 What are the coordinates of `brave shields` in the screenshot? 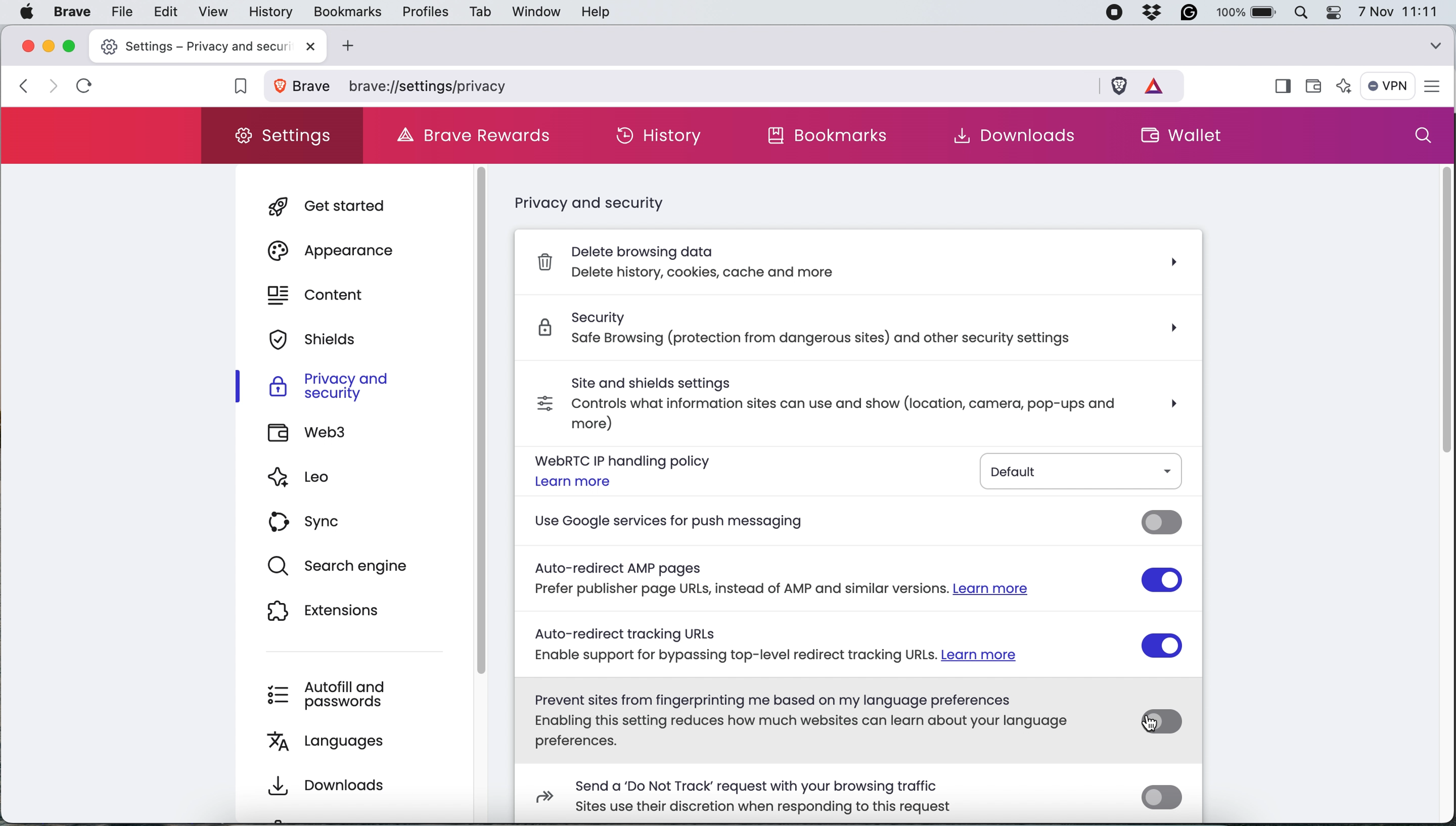 It's located at (1119, 85).